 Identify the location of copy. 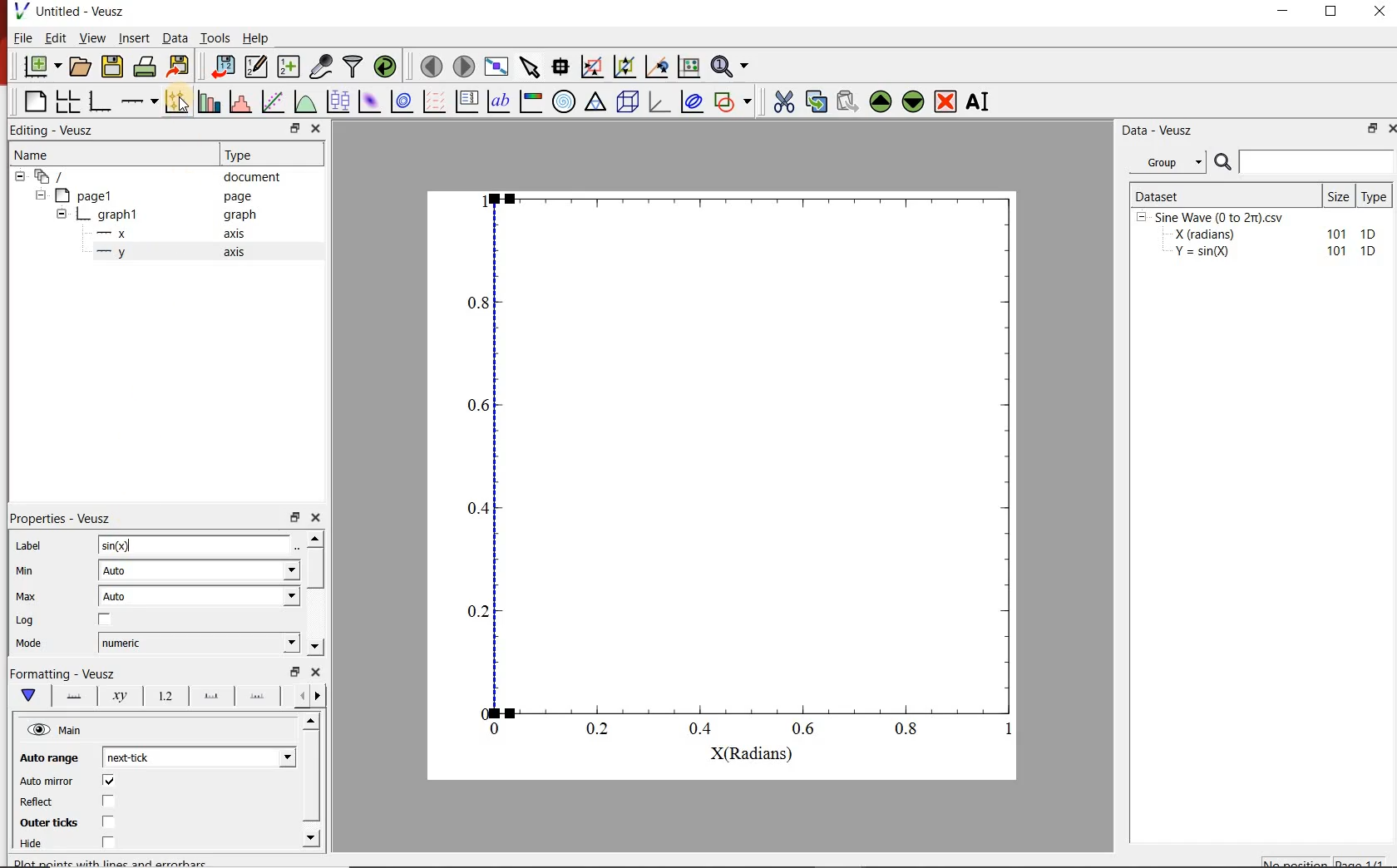
(816, 100).